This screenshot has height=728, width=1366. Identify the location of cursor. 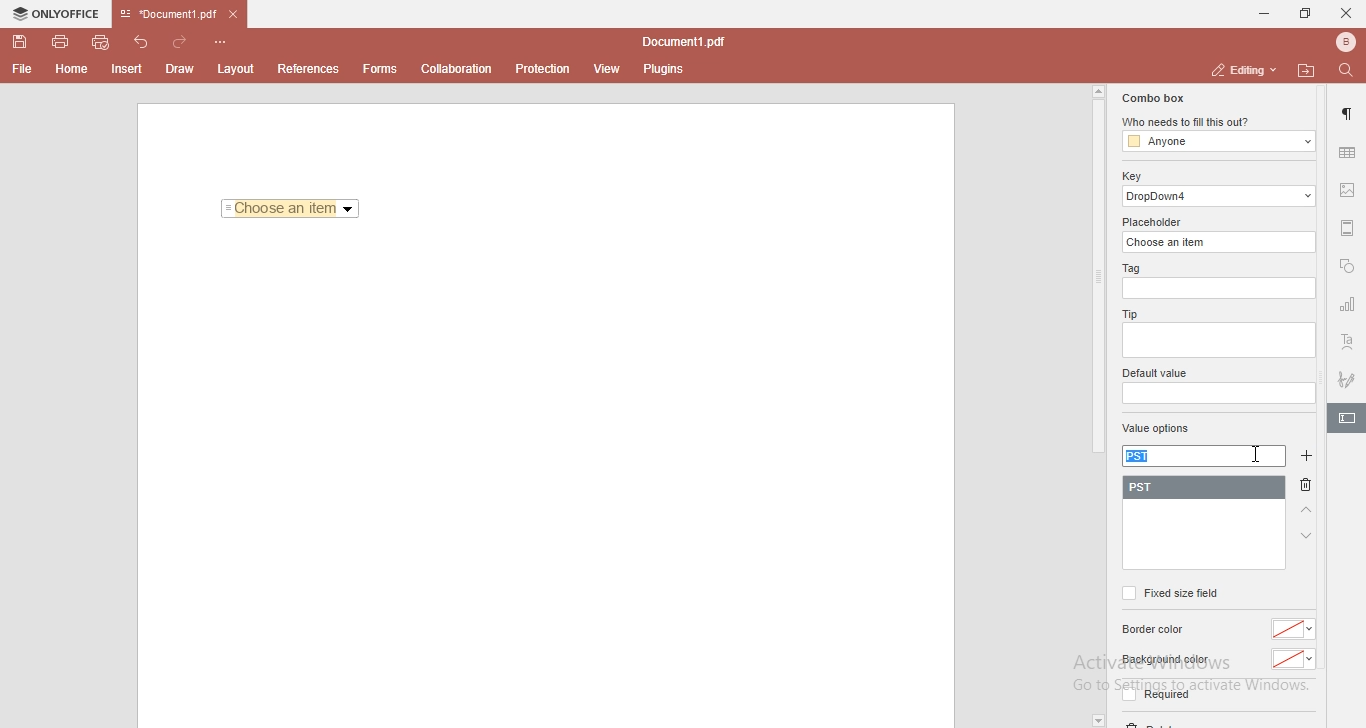
(1259, 454).